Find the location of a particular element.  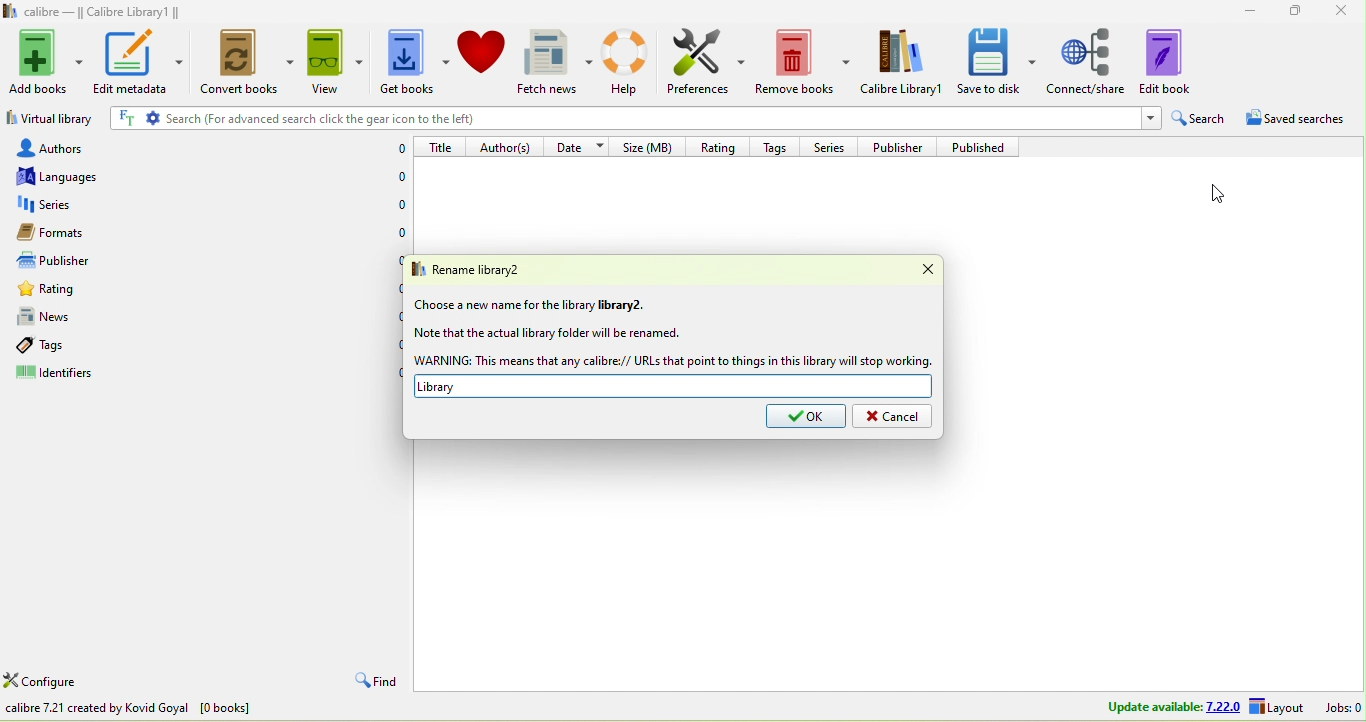

edit book is located at coordinates (1179, 60).